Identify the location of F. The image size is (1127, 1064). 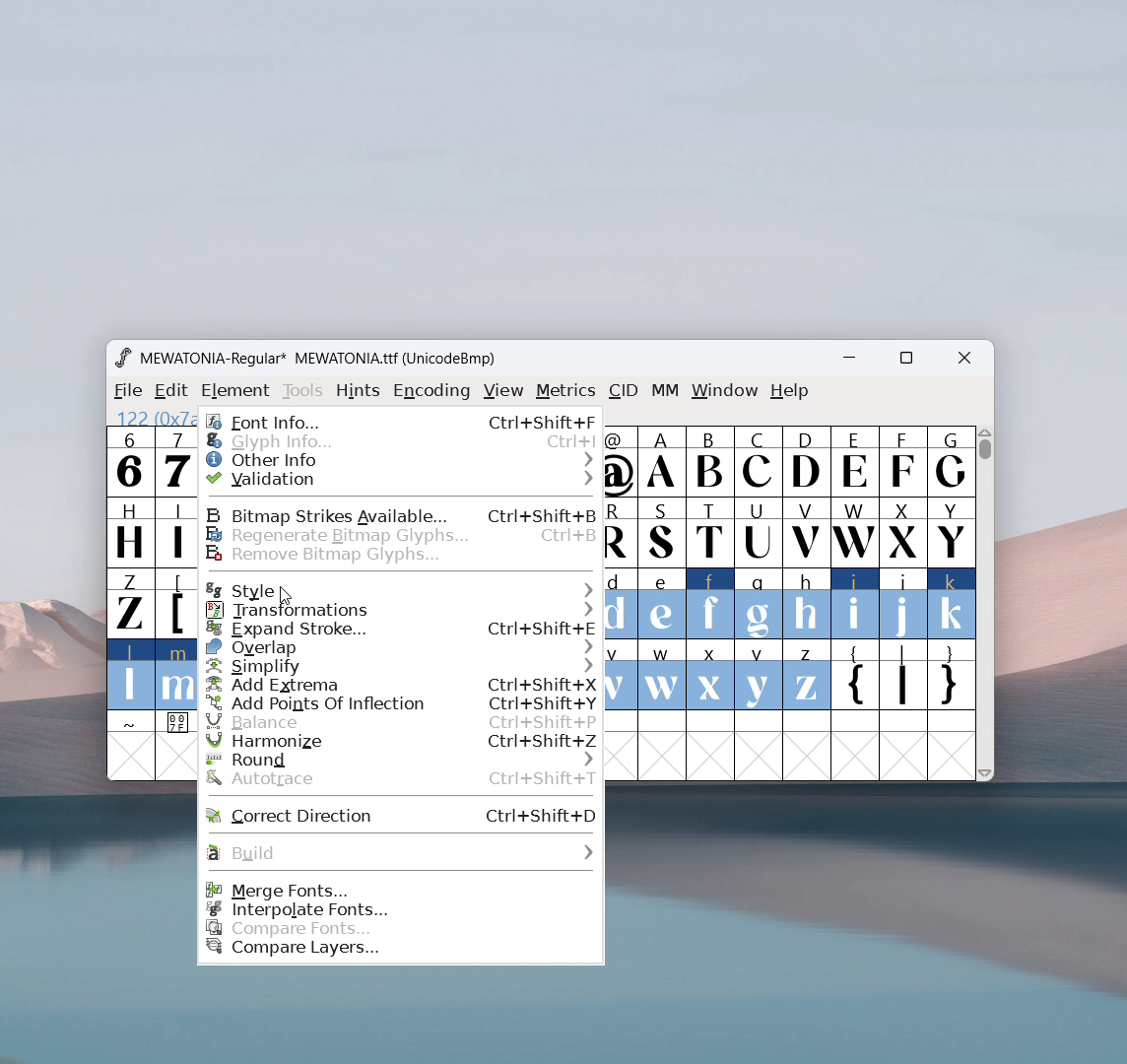
(901, 460).